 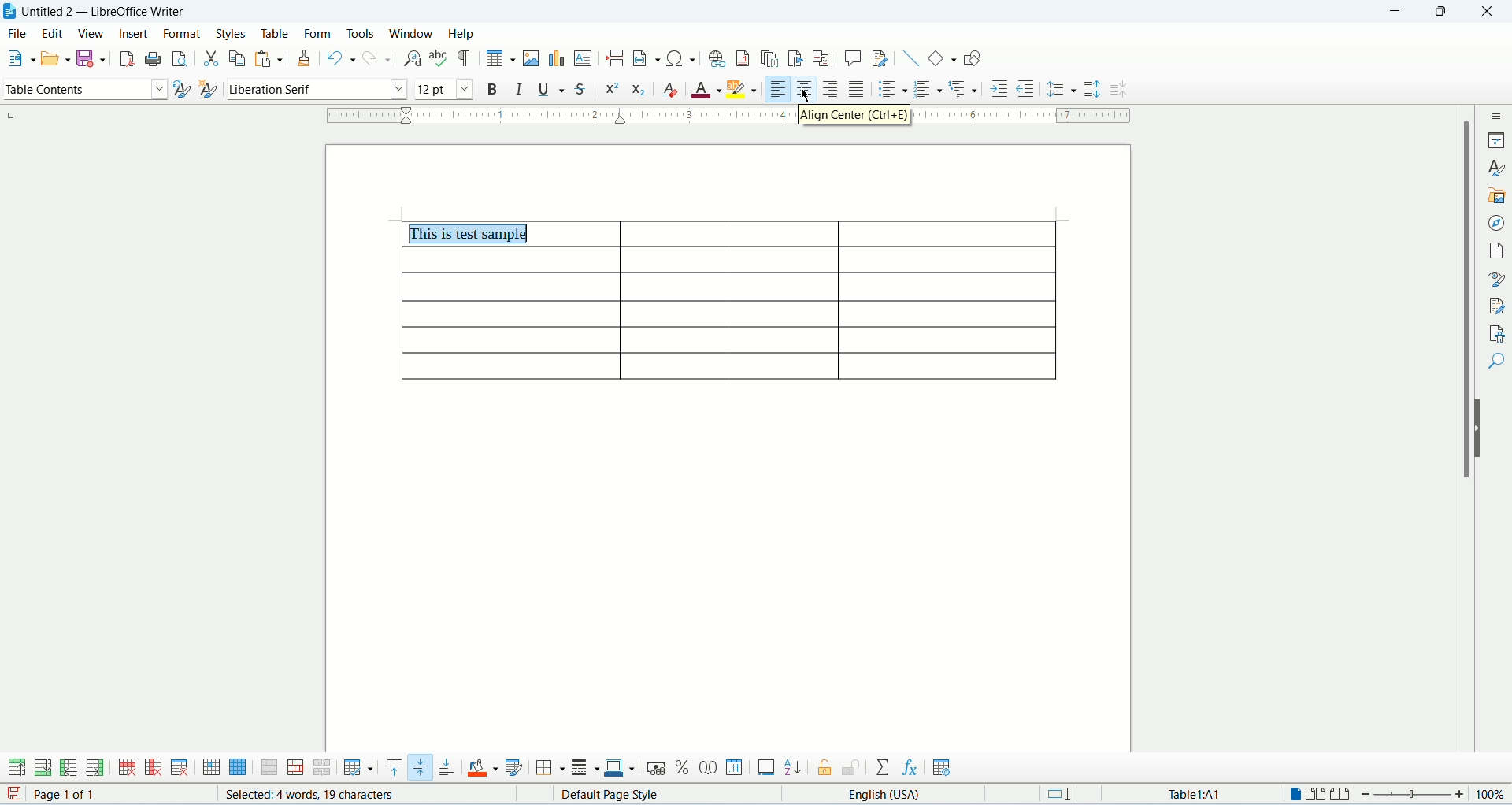 What do you see at coordinates (1462, 442) in the screenshot?
I see `scroll bar` at bounding box center [1462, 442].